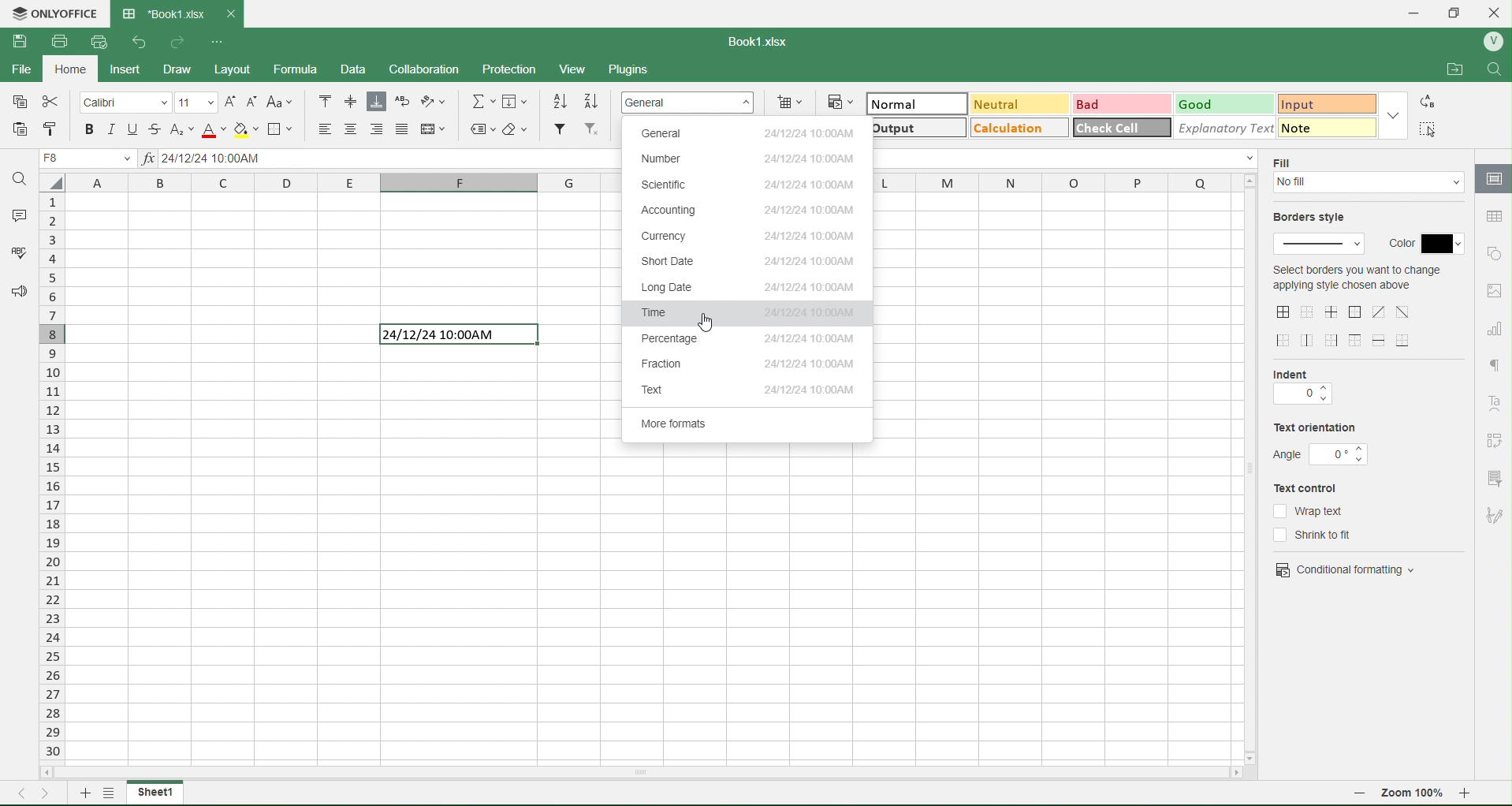  Describe the element at coordinates (453, 335) in the screenshot. I see `24/12/24 10:00AM` at that location.